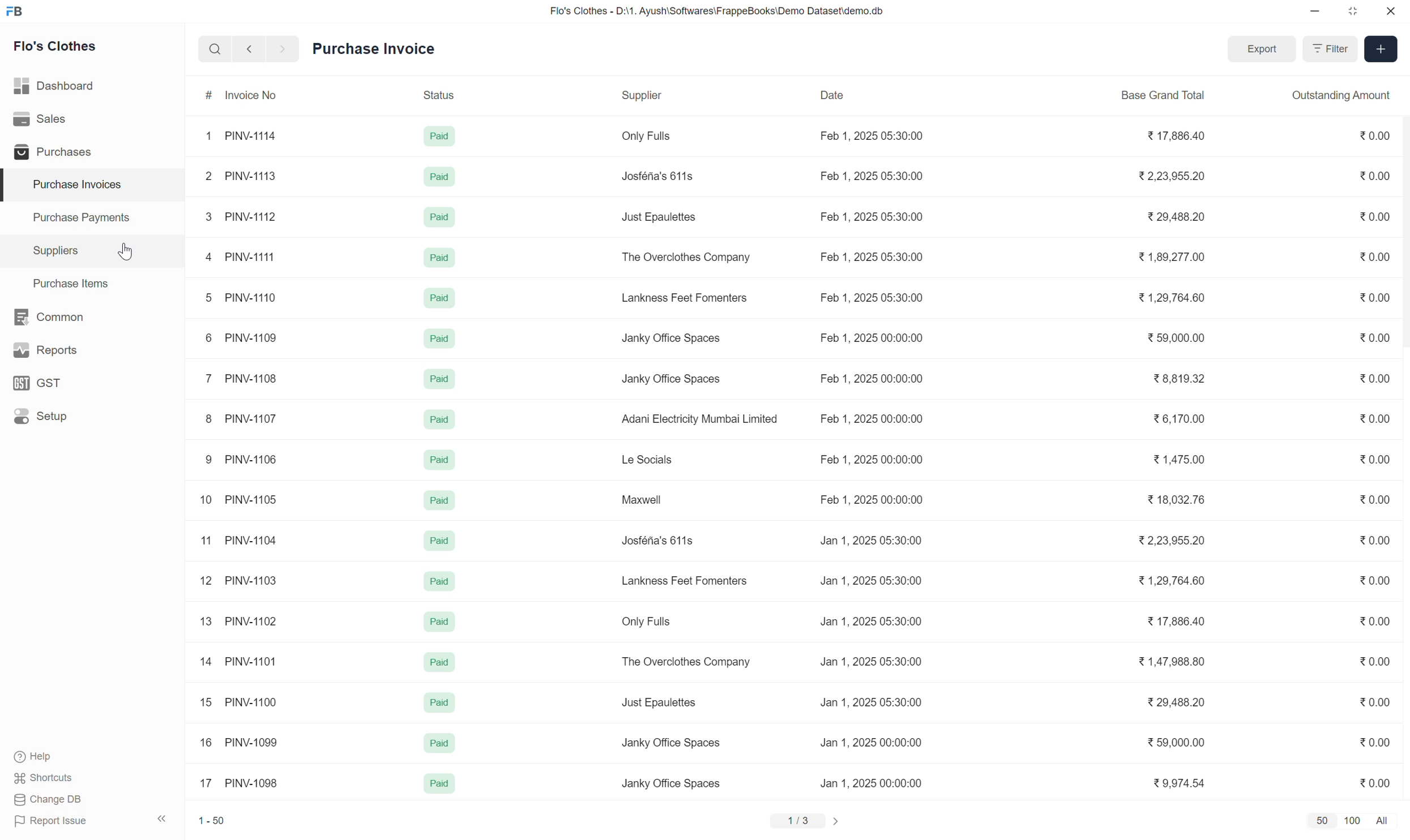 Image resolution: width=1410 pixels, height=840 pixels. I want to click on Purchase Invoice, so click(374, 49).